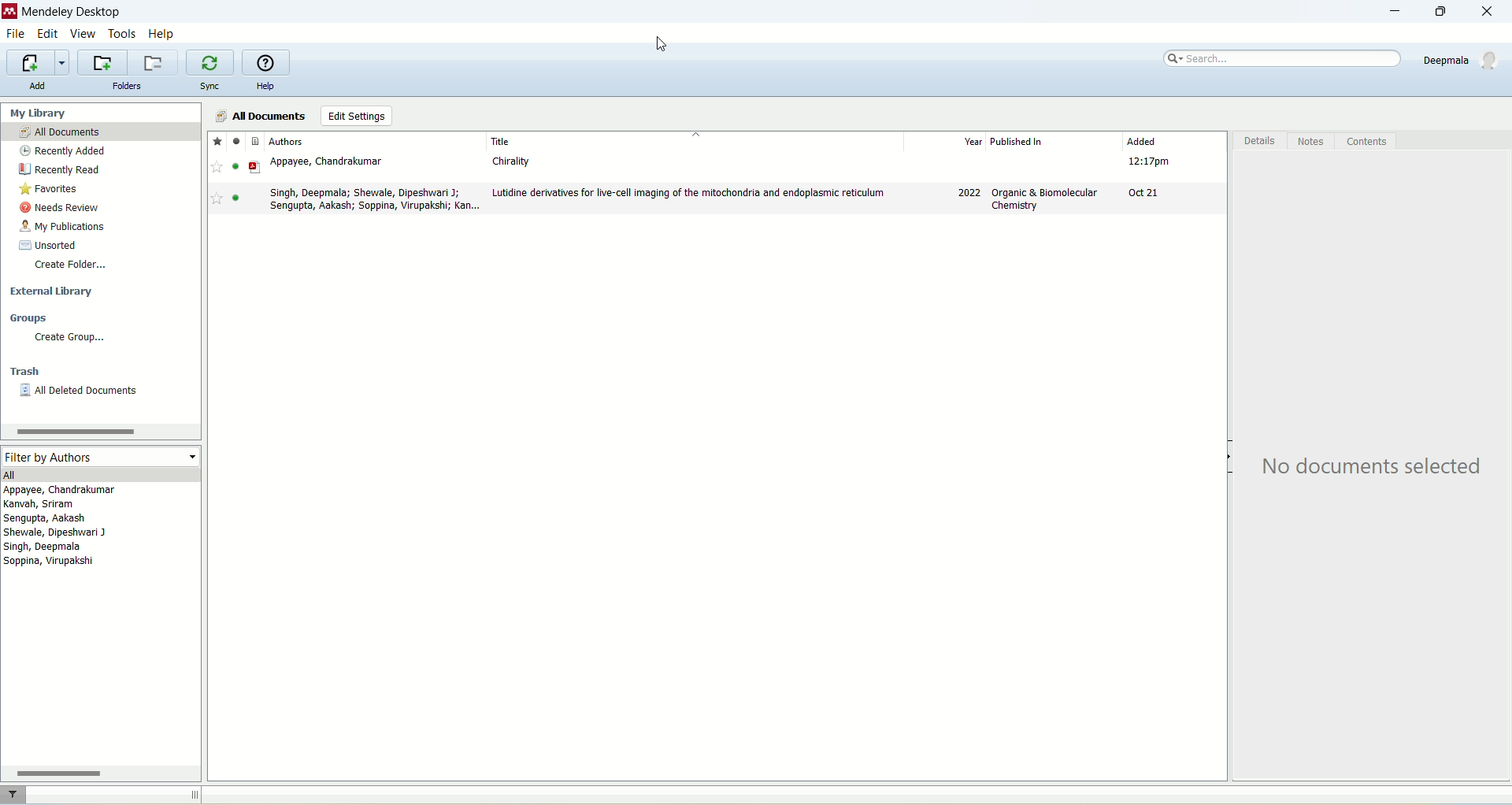  What do you see at coordinates (58, 112) in the screenshot?
I see `my library` at bounding box center [58, 112].